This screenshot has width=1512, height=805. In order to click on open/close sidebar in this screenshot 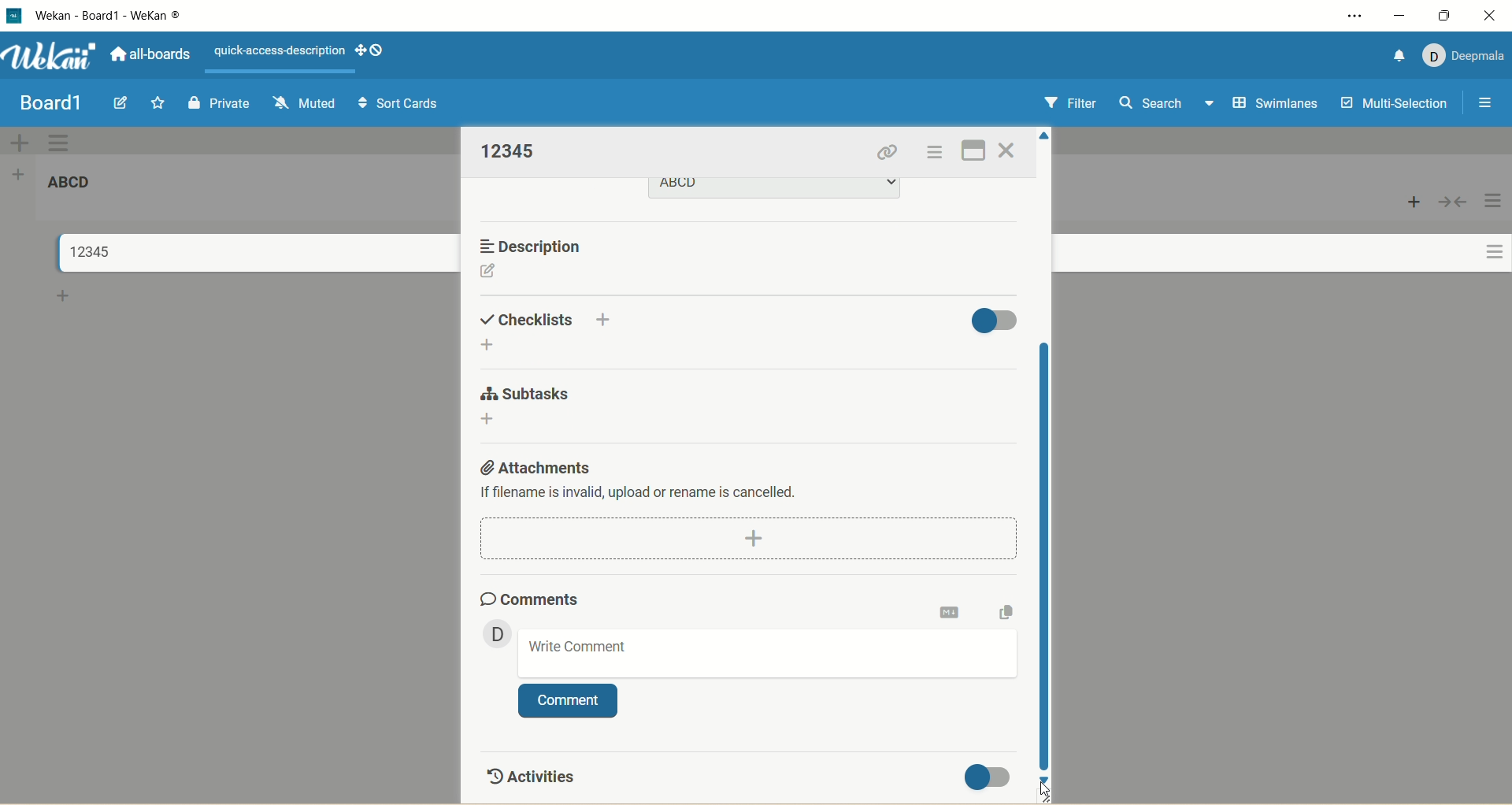, I will do `click(1483, 104)`.